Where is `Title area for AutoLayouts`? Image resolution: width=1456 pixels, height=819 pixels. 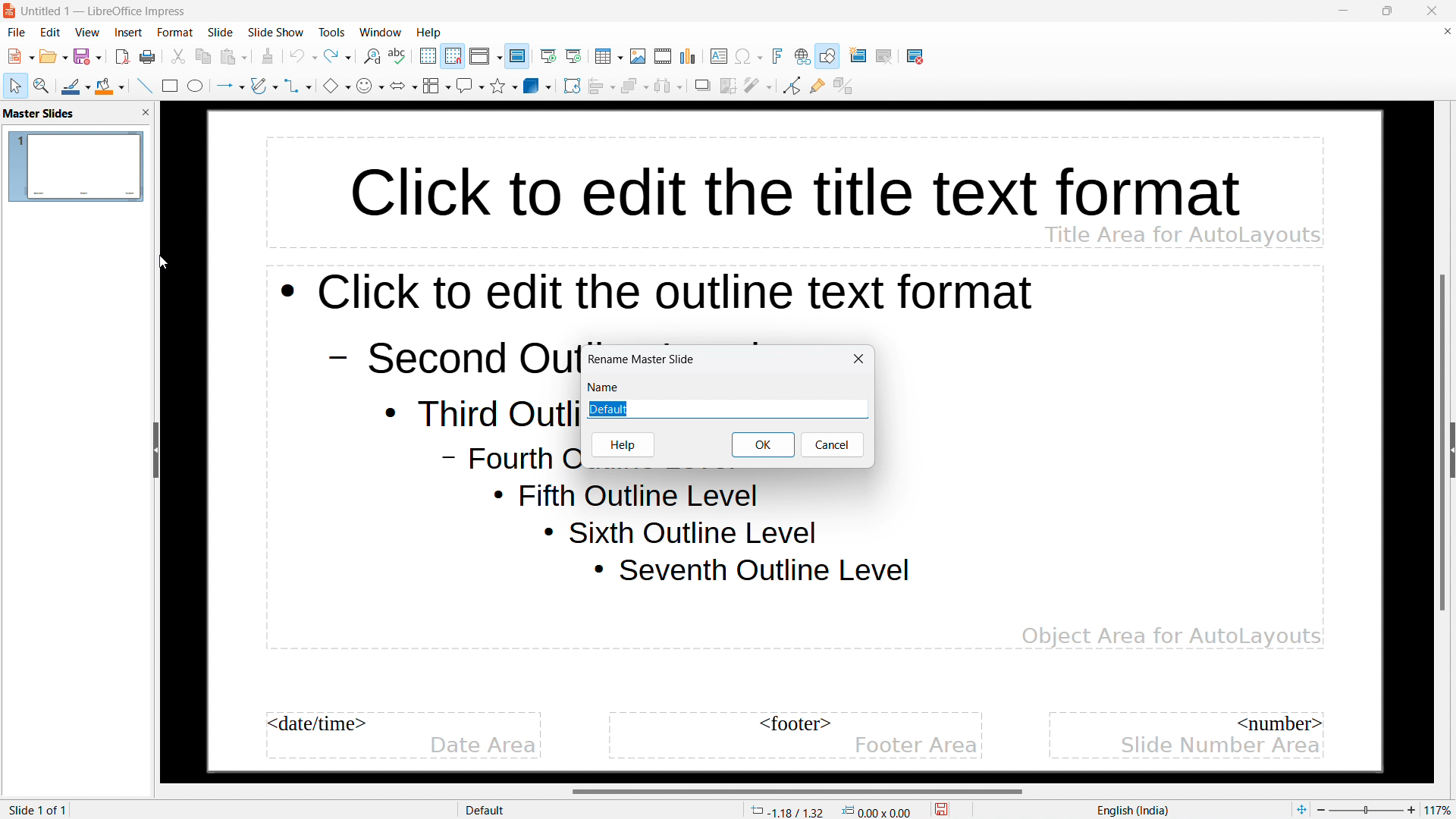 Title area for AutoLayouts is located at coordinates (1182, 234).